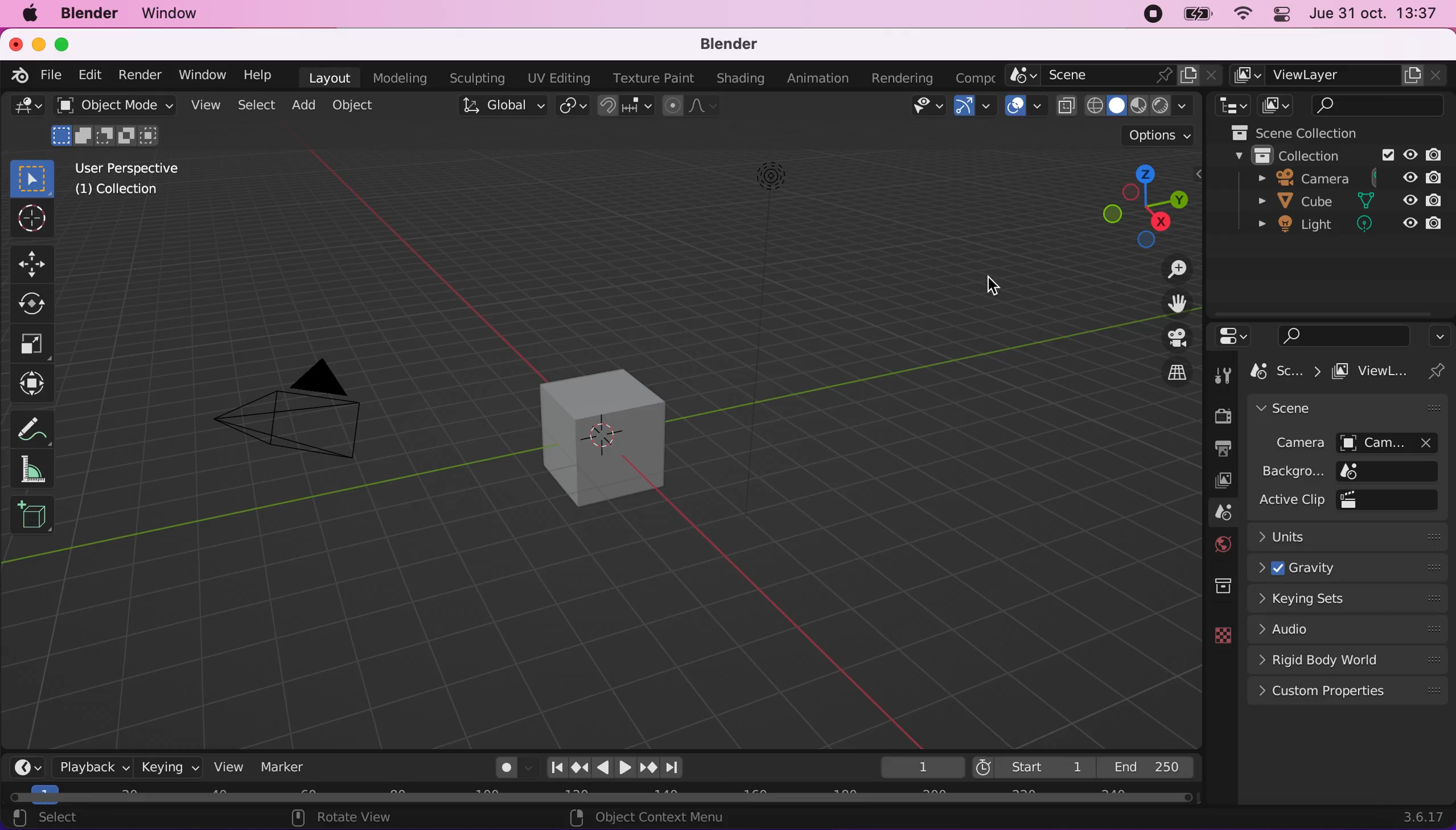 Image resolution: width=1456 pixels, height=830 pixels. I want to click on custom properties, so click(1349, 692).